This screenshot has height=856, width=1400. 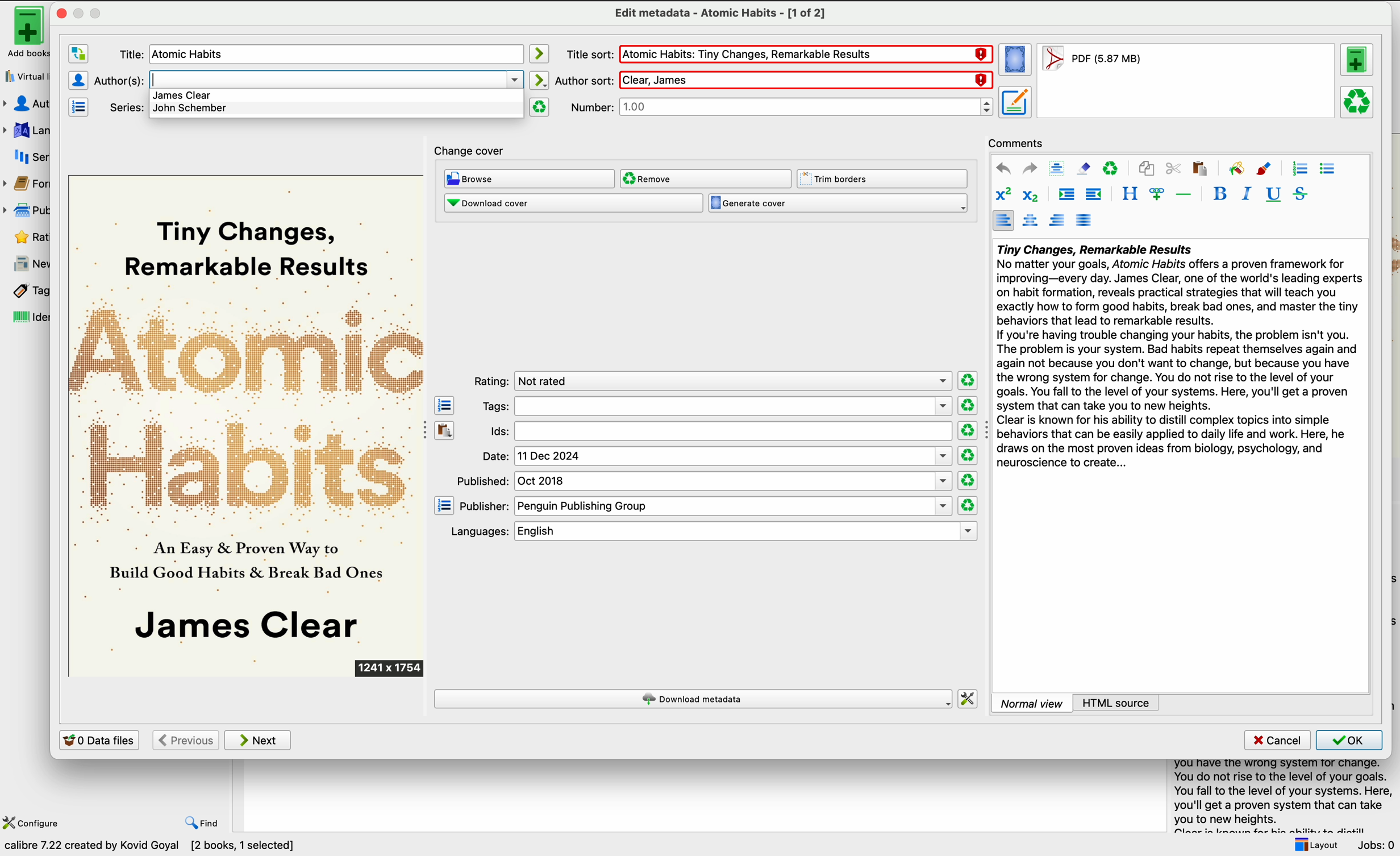 What do you see at coordinates (60, 13) in the screenshot?
I see `close` at bounding box center [60, 13].